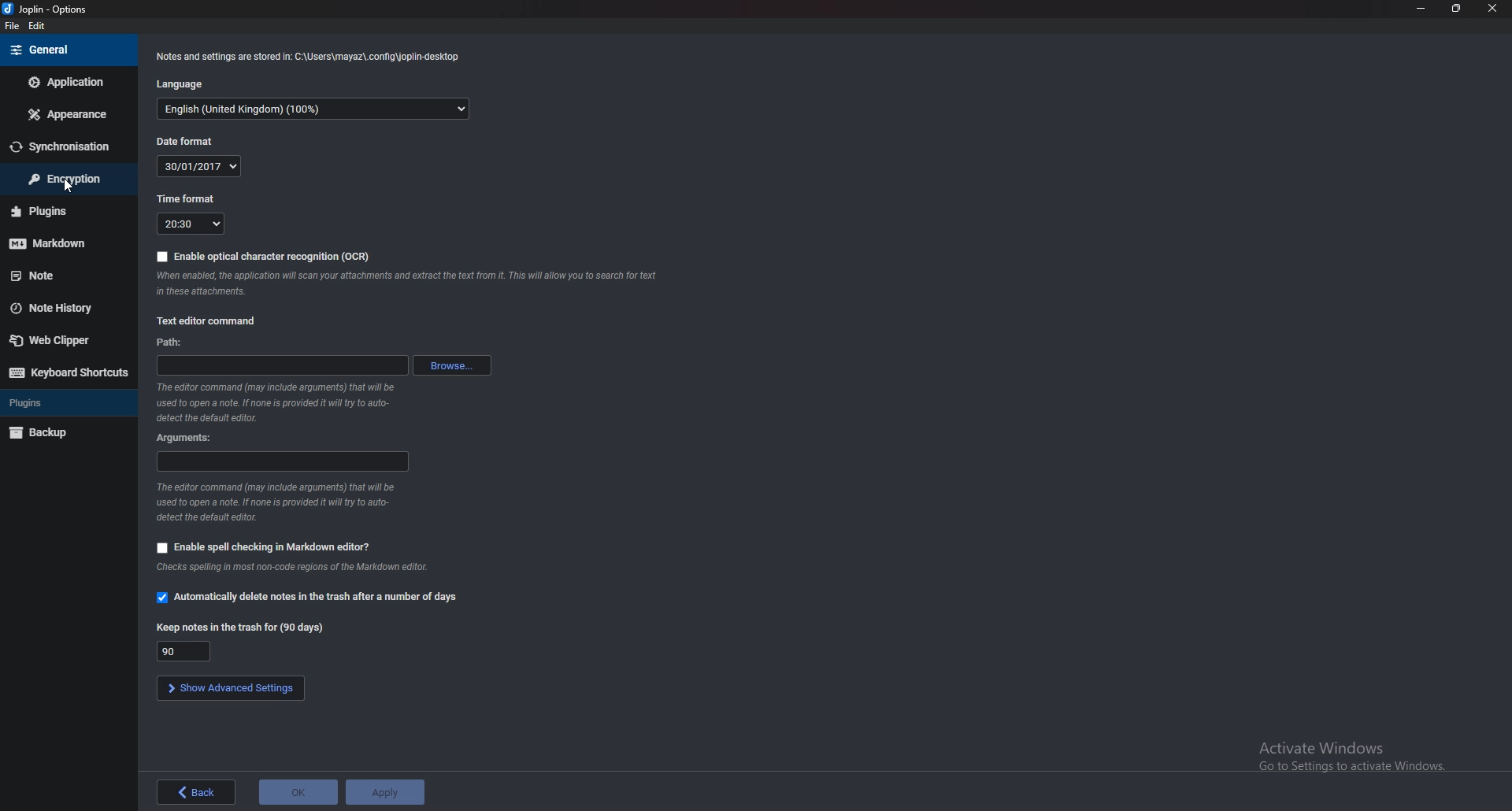 This screenshot has height=811, width=1512. What do you see at coordinates (192, 224) in the screenshot?
I see `time format` at bounding box center [192, 224].